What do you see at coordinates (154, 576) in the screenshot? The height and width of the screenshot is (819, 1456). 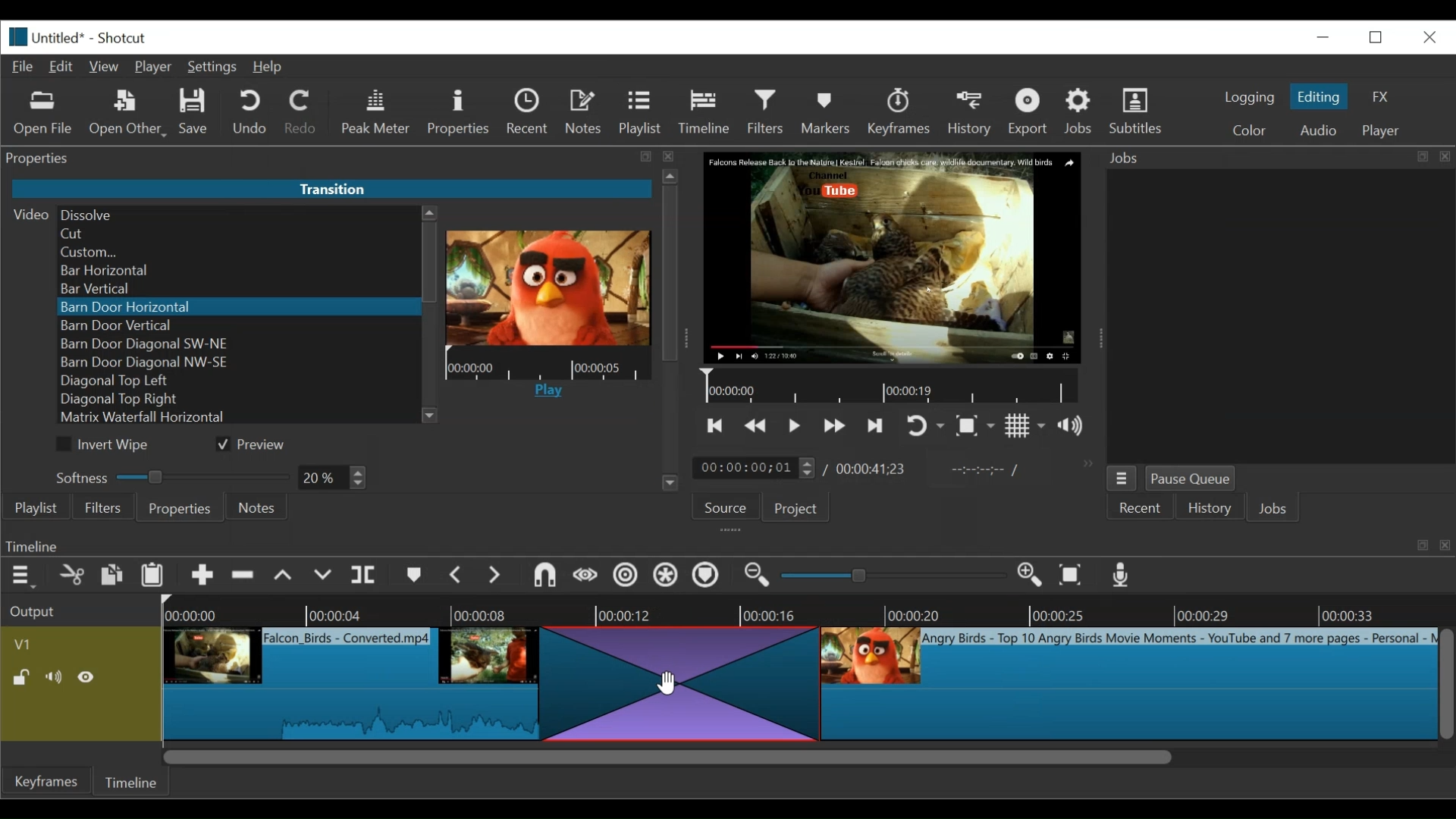 I see `Paste` at bounding box center [154, 576].